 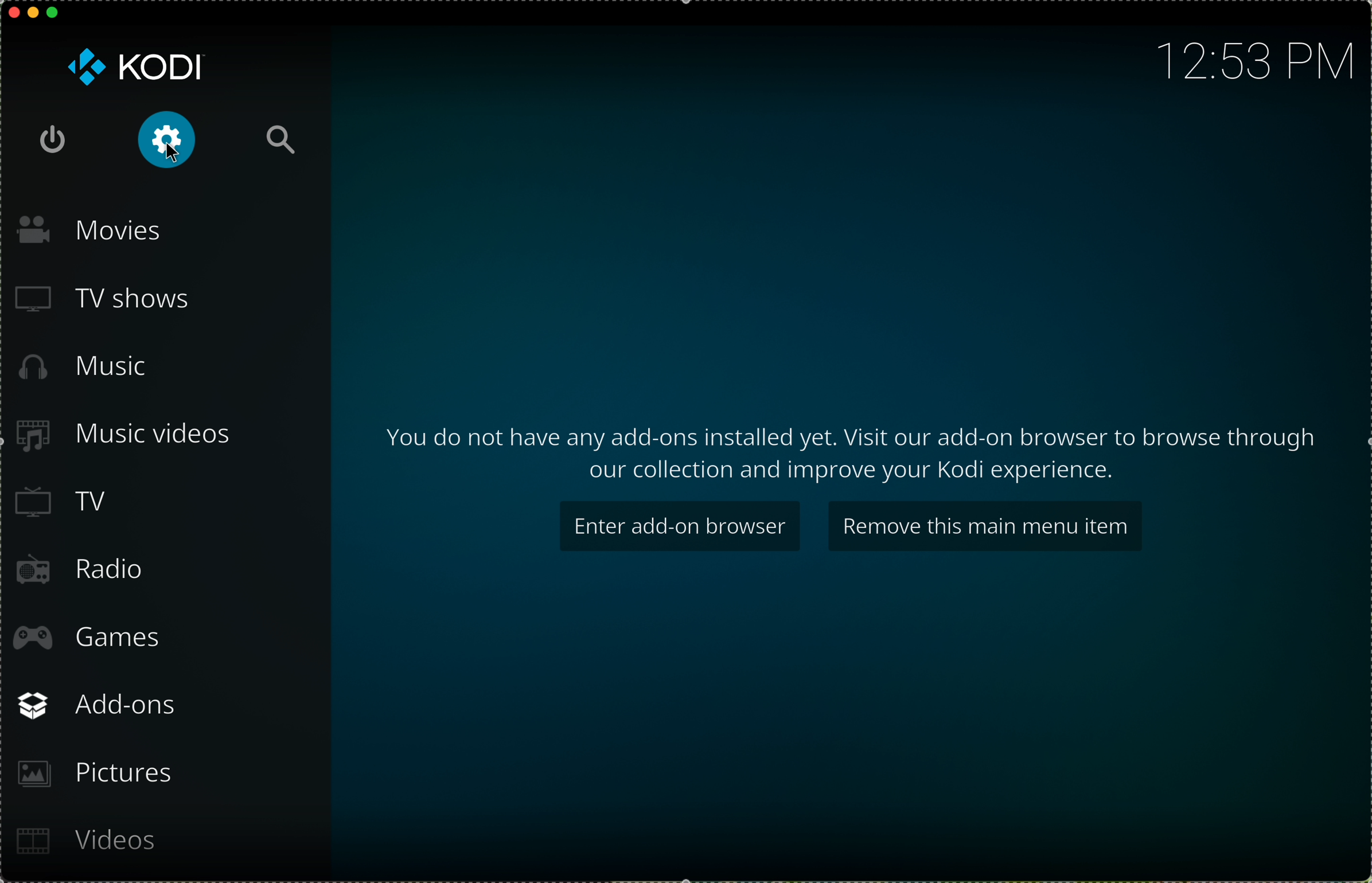 What do you see at coordinates (12, 10) in the screenshot?
I see `close app` at bounding box center [12, 10].